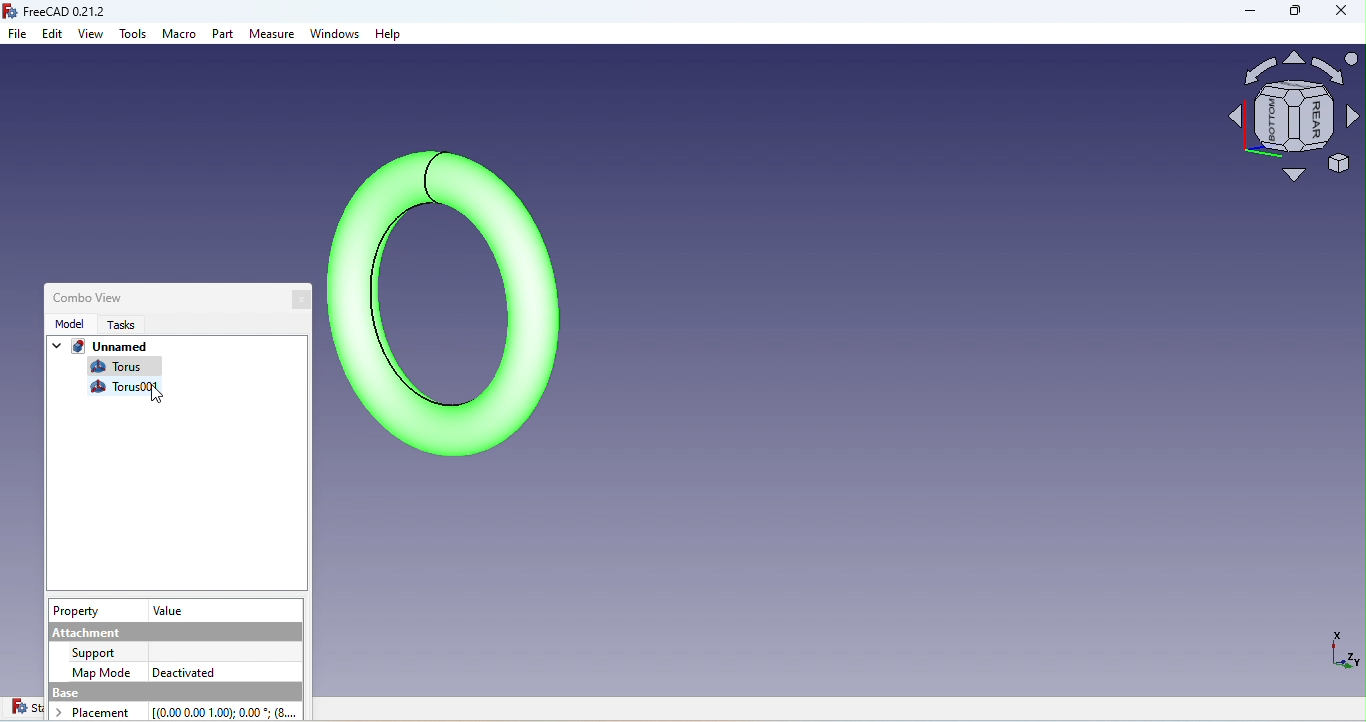  I want to click on Map Mode, so click(103, 671).